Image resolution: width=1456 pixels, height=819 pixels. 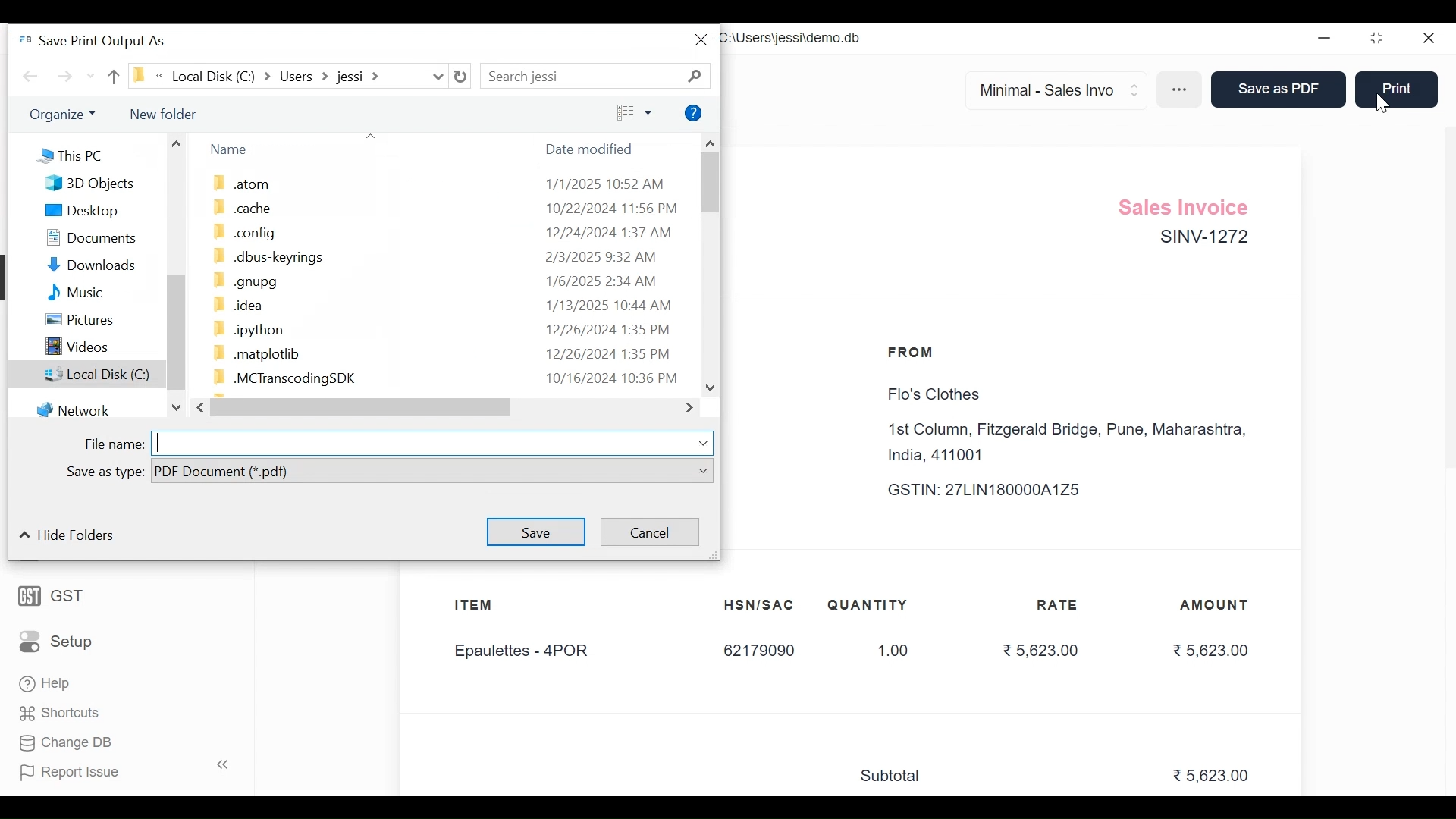 I want to click on Name, so click(x=227, y=149).